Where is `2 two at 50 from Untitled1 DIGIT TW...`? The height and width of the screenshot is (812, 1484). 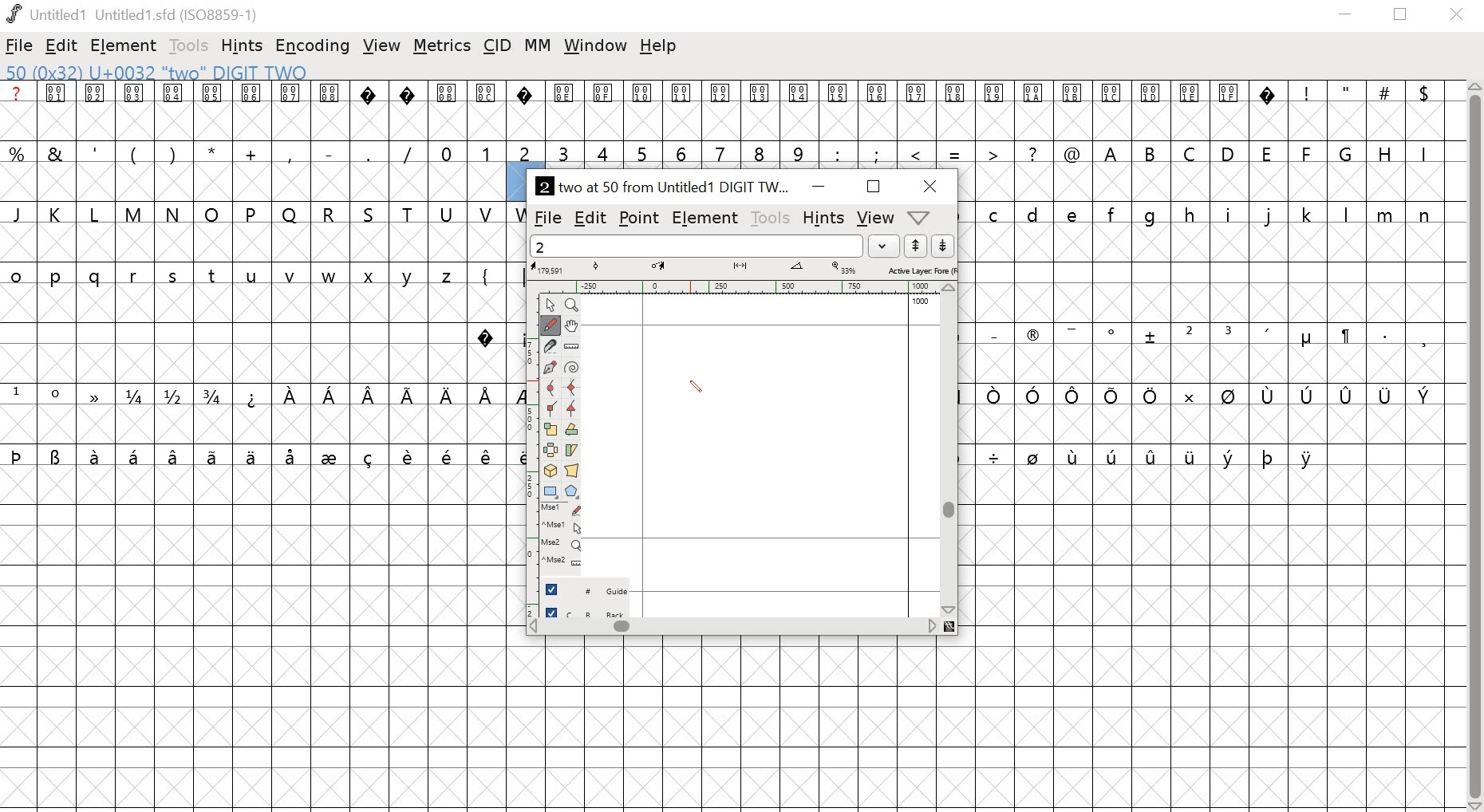 2 two at 50 from Untitled1 DIGIT TW... is located at coordinates (662, 185).